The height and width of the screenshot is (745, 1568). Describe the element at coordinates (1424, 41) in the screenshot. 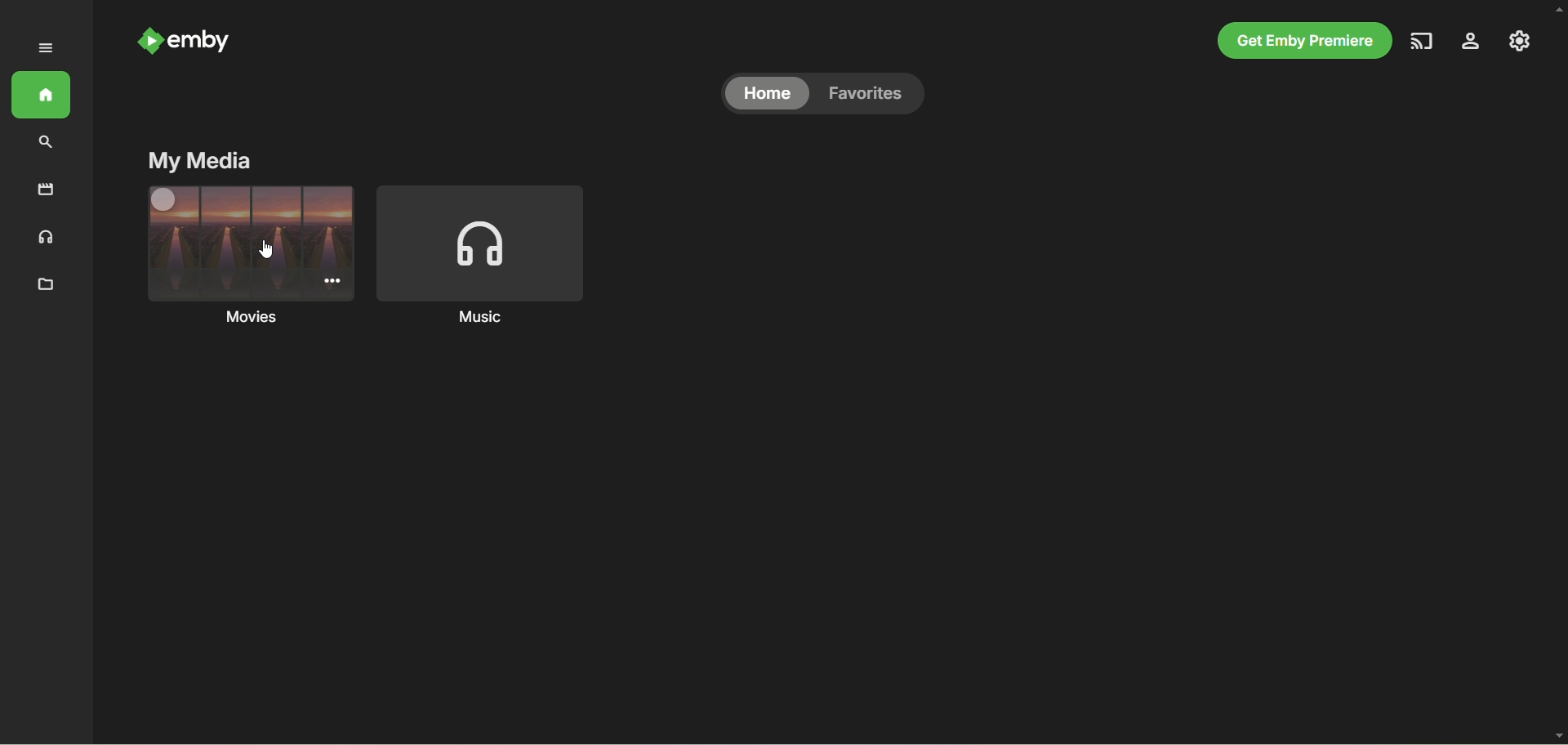

I see `play on another device` at that location.